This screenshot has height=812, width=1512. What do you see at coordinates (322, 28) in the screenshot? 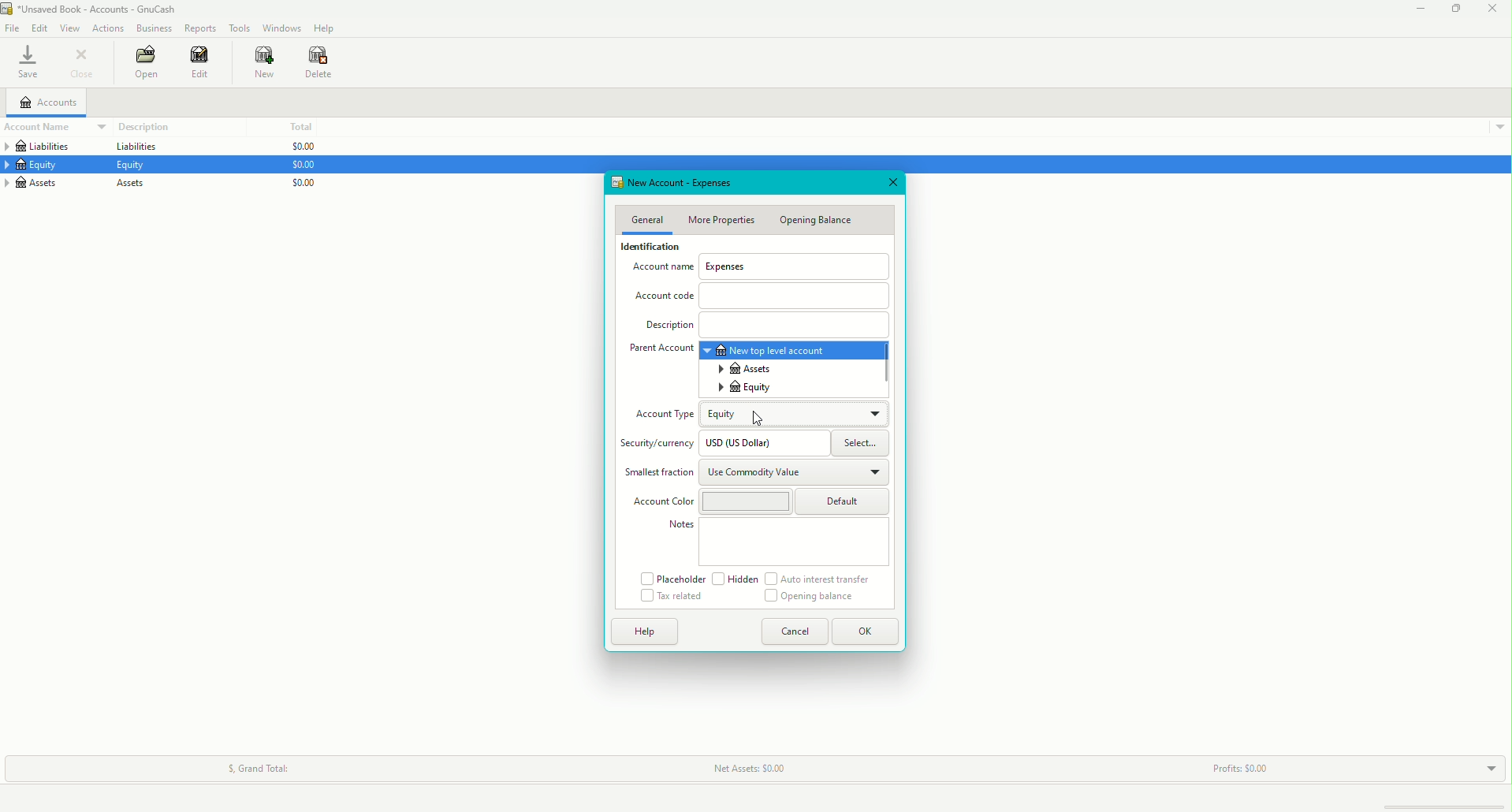
I see `Help` at bounding box center [322, 28].